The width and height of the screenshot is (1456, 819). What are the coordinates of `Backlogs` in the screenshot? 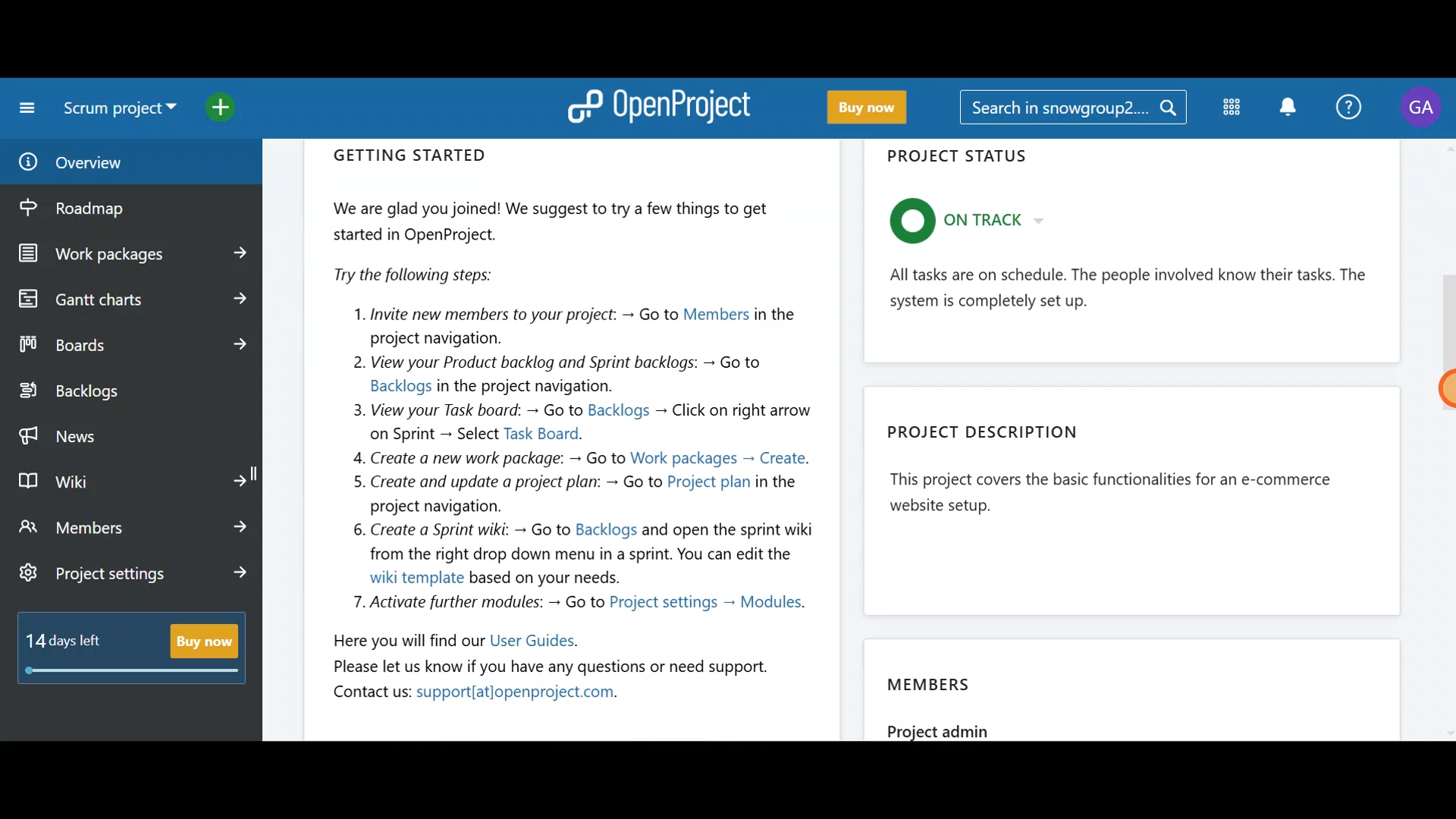 It's located at (118, 392).